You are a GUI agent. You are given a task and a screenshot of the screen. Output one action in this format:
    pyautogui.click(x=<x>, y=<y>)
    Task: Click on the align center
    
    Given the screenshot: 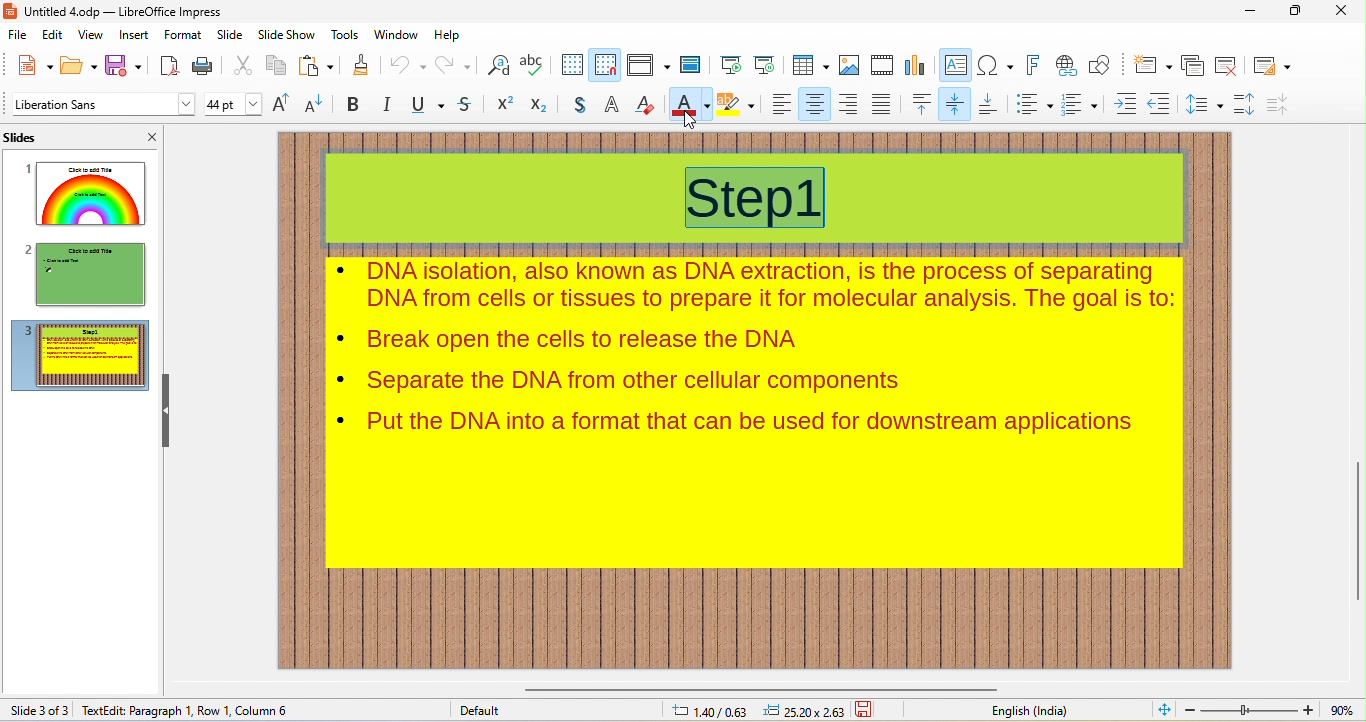 What is the action you would take?
    pyautogui.click(x=811, y=104)
    